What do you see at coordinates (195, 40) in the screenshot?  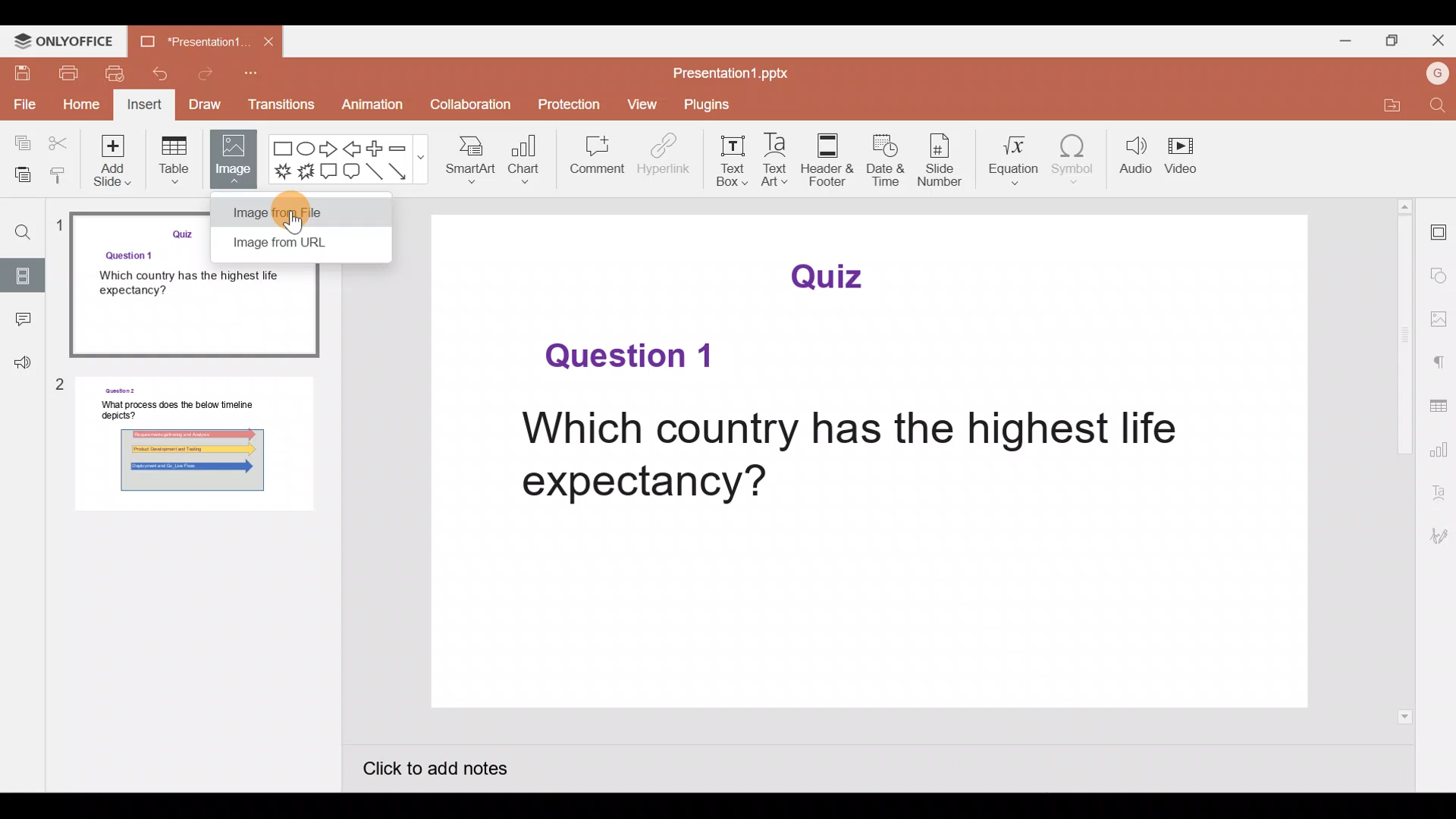 I see `Presentation1.` at bounding box center [195, 40].